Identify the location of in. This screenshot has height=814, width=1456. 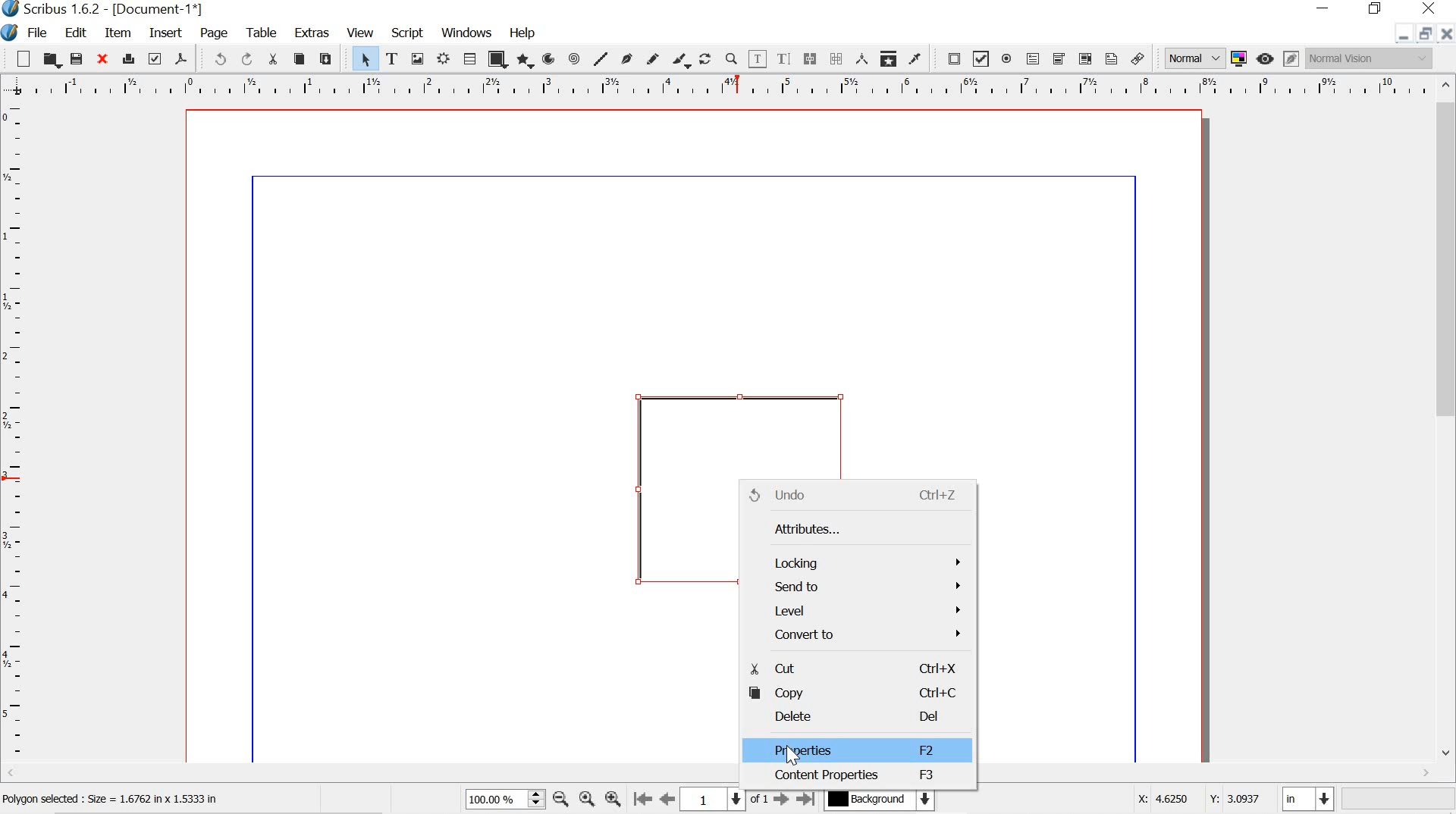
(1310, 800).